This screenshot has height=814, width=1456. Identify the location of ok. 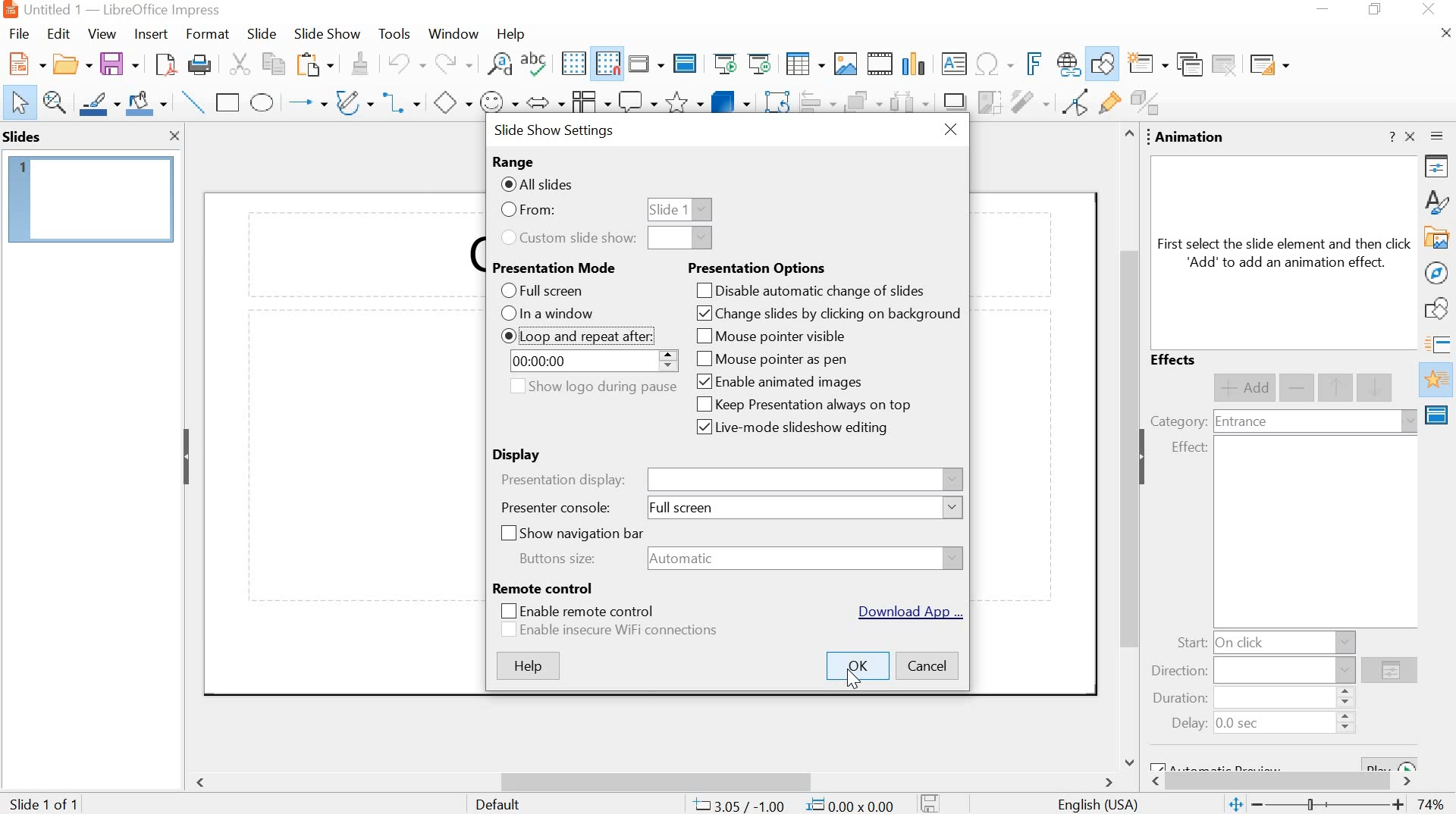
(857, 665).